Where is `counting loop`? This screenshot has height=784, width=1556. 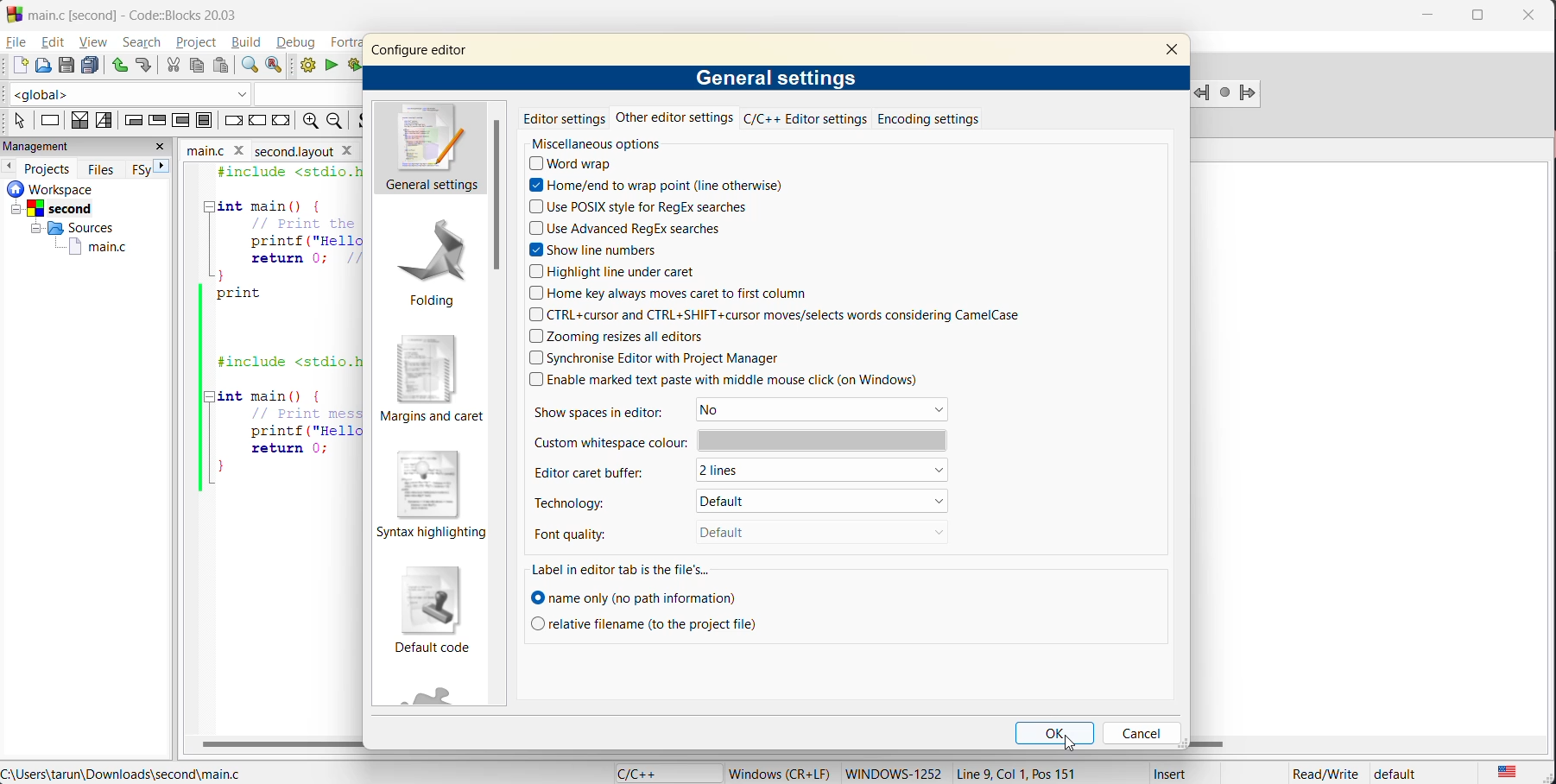
counting loop is located at coordinates (178, 119).